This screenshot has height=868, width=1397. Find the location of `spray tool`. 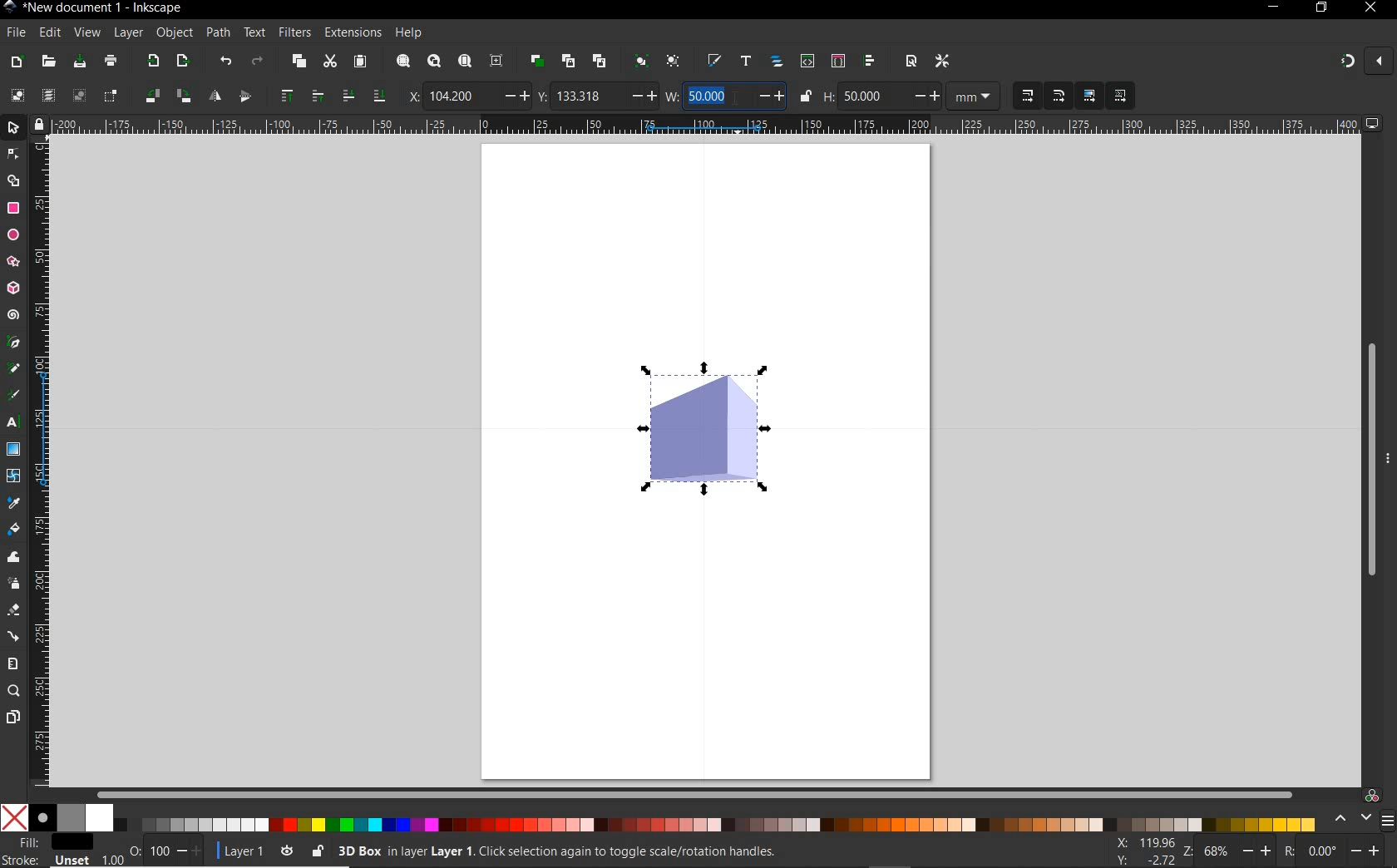

spray tool is located at coordinates (15, 583).